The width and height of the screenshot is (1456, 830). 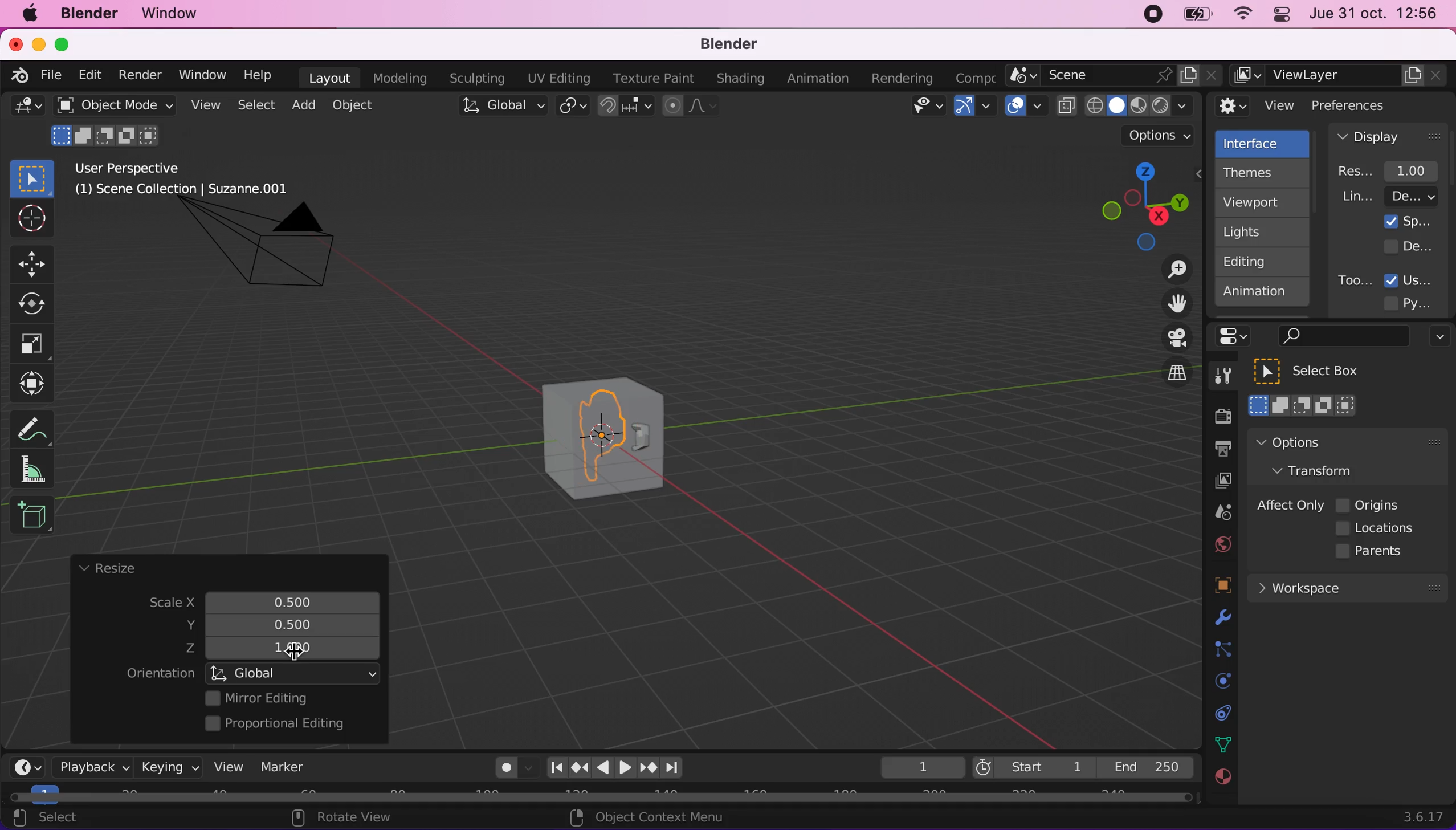 What do you see at coordinates (1168, 304) in the screenshot?
I see `move the view` at bounding box center [1168, 304].